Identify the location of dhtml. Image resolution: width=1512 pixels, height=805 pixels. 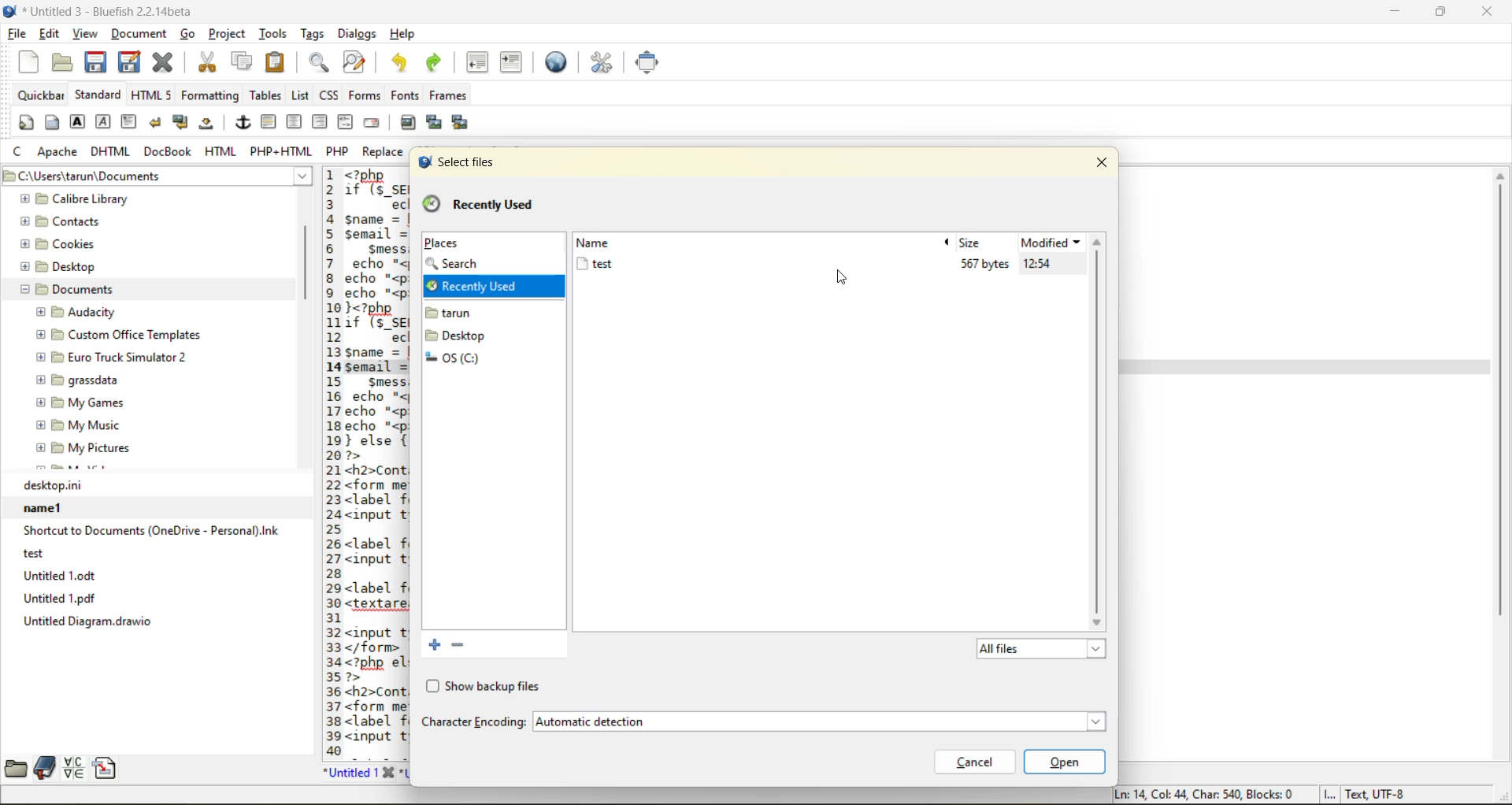
(111, 153).